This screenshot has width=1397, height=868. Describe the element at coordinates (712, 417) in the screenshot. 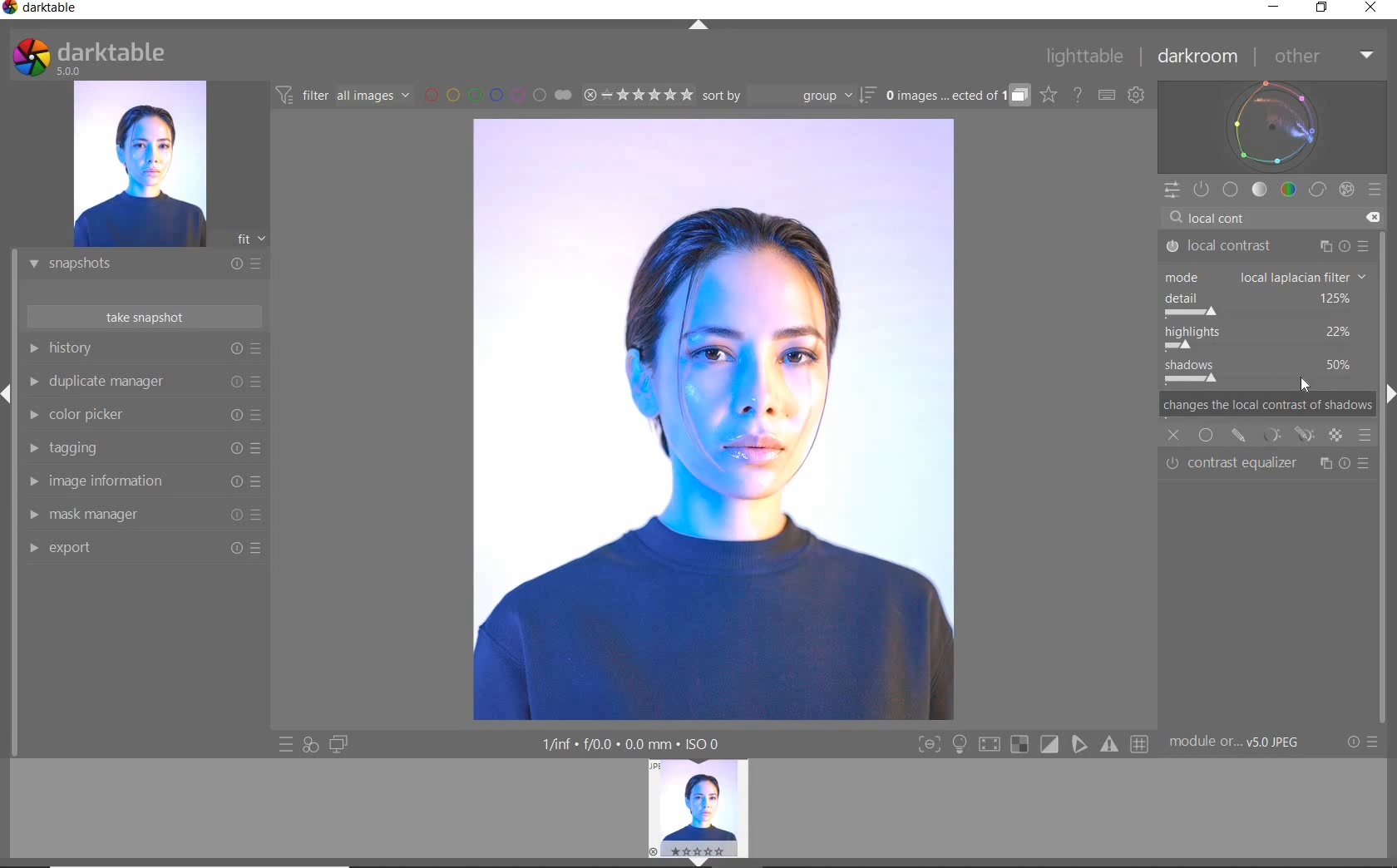

I see `SELECTED IMAGE` at that location.